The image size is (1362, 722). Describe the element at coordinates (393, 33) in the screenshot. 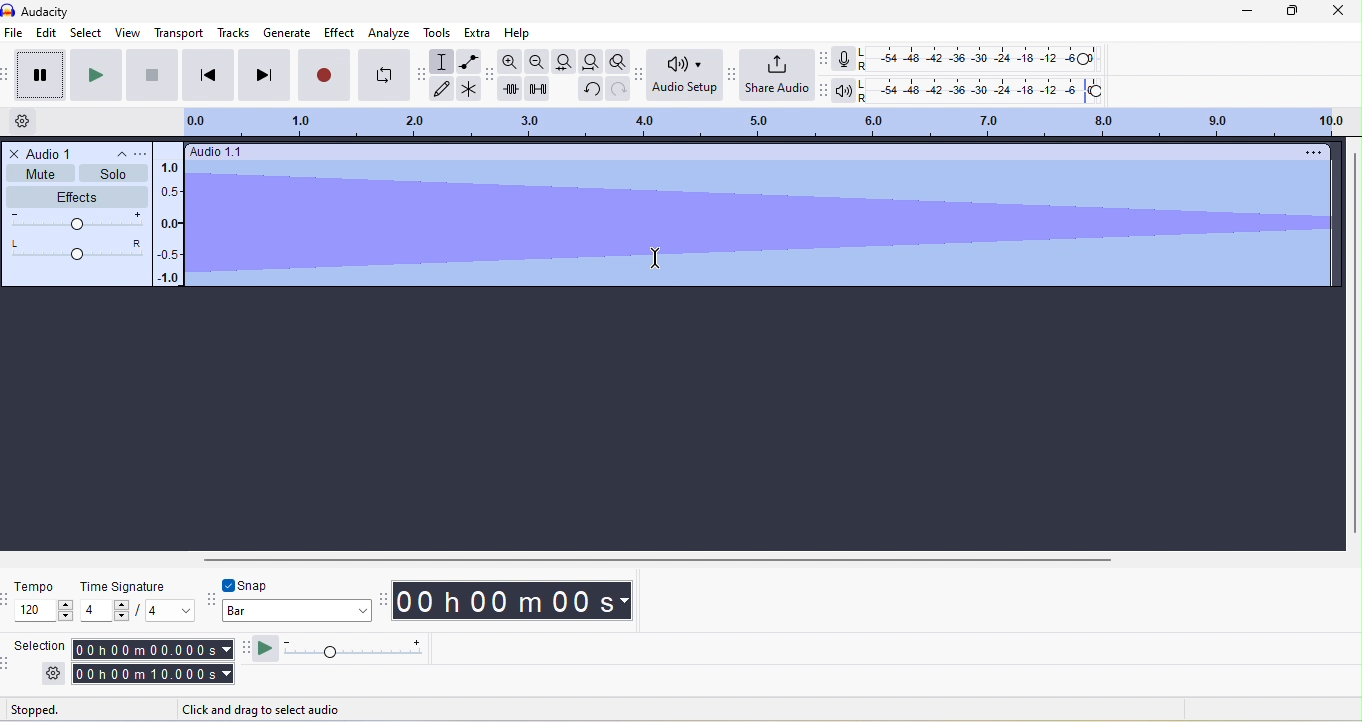

I see `analyze` at that location.